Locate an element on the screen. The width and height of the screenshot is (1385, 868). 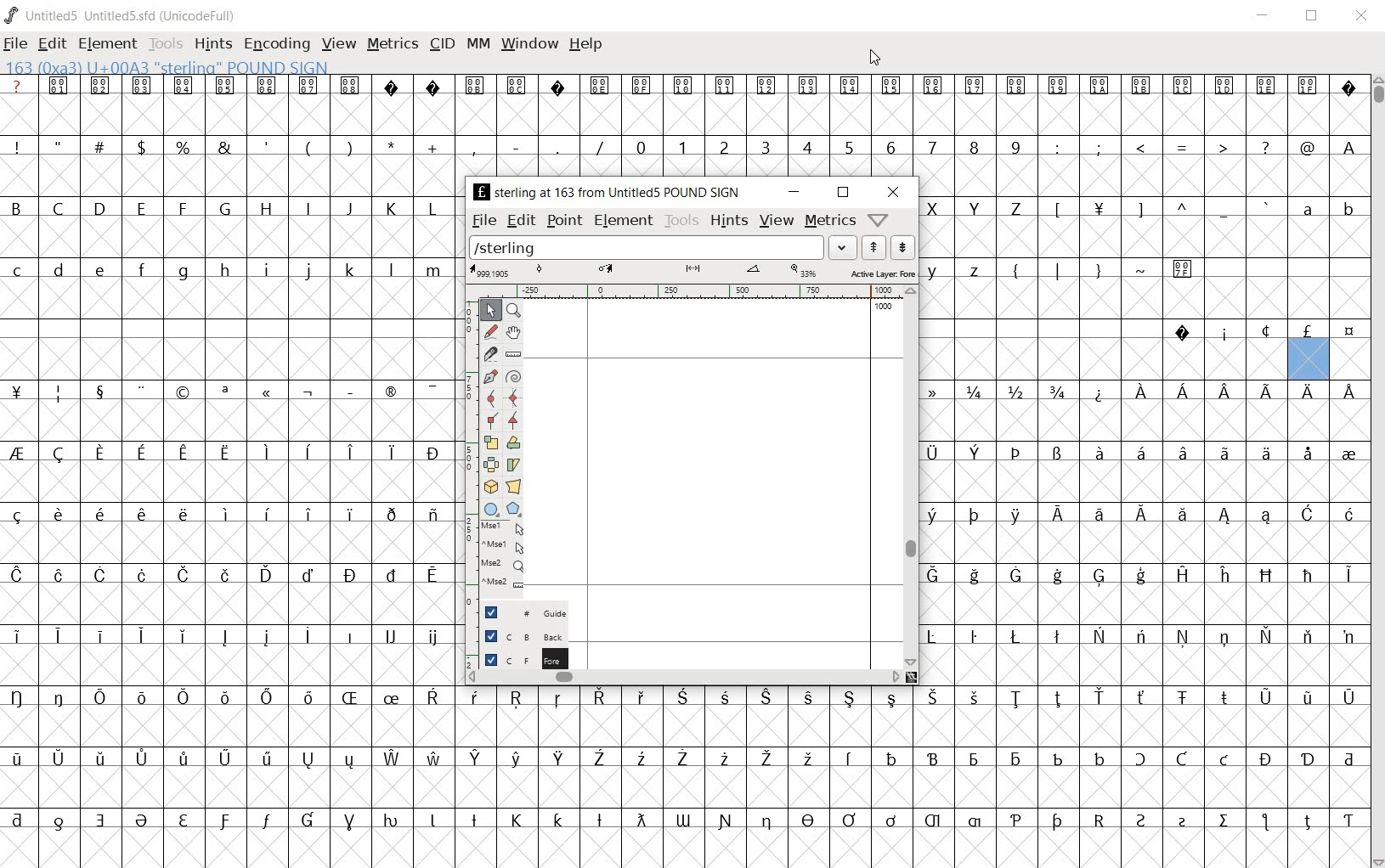
Symbol is located at coordinates (98, 391).